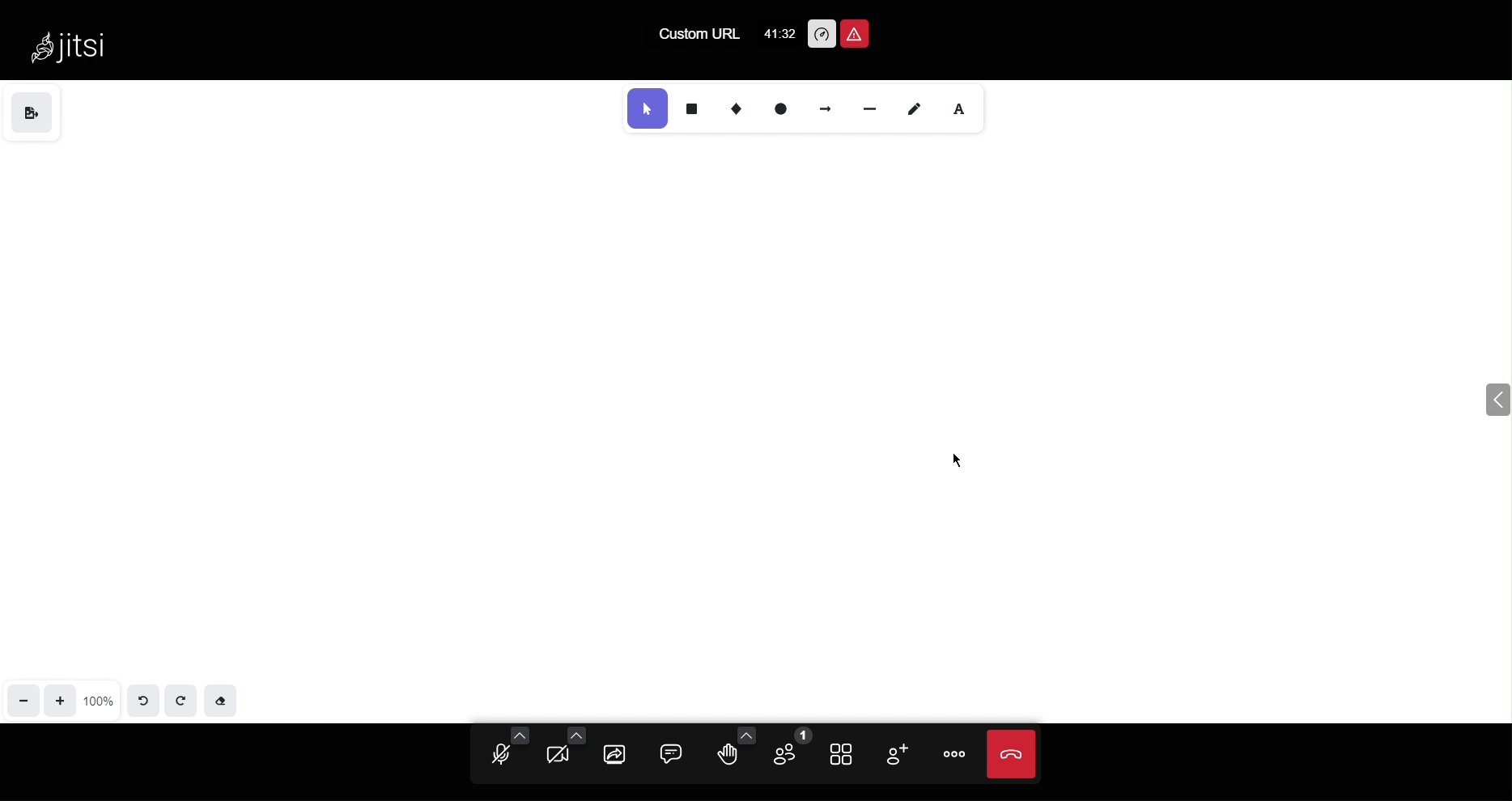 The height and width of the screenshot is (801, 1512). What do you see at coordinates (645, 108) in the screenshot?
I see `Pointer` at bounding box center [645, 108].